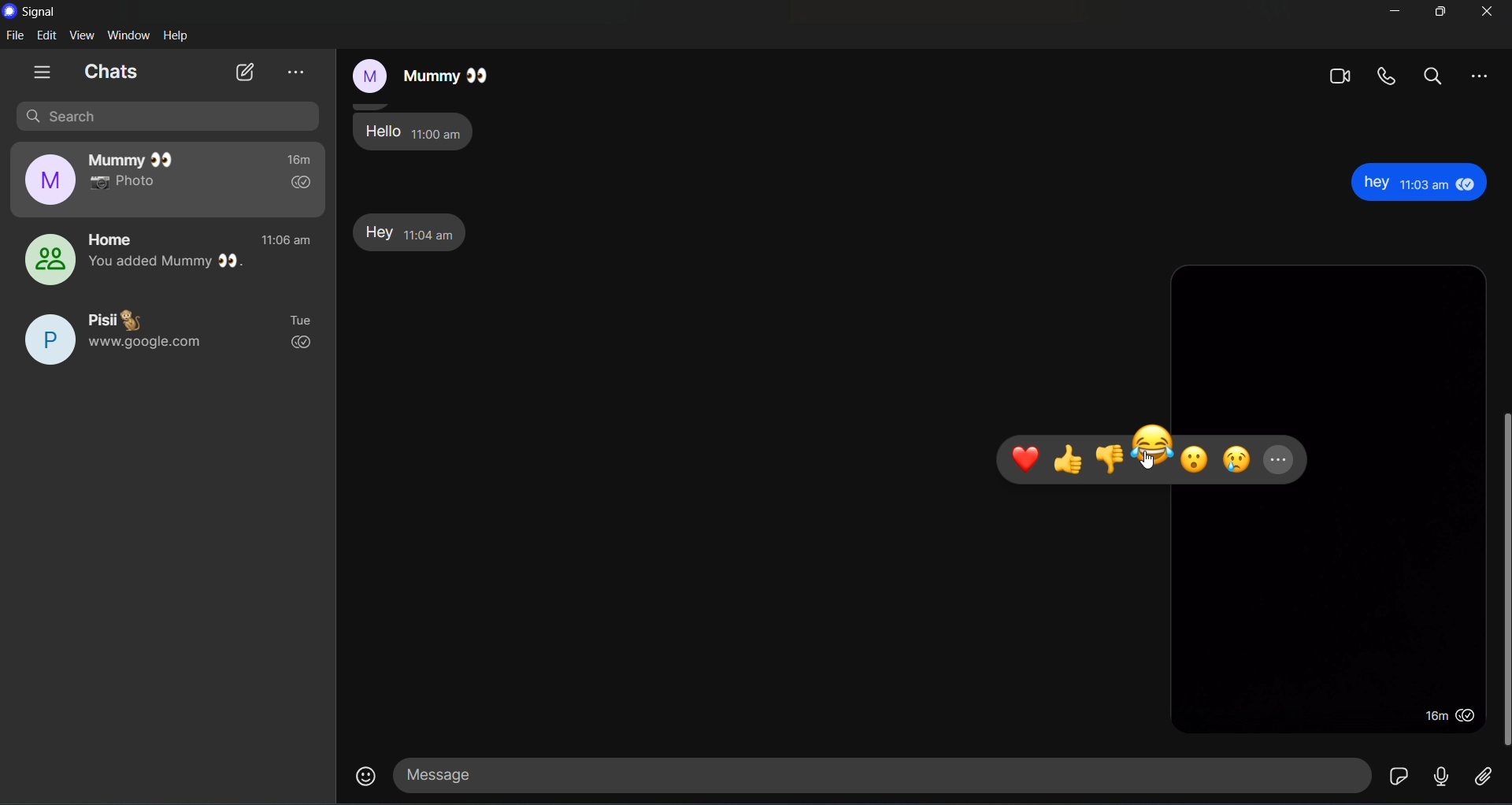 The width and height of the screenshot is (1512, 805). What do you see at coordinates (1487, 12) in the screenshot?
I see `close` at bounding box center [1487, 12].